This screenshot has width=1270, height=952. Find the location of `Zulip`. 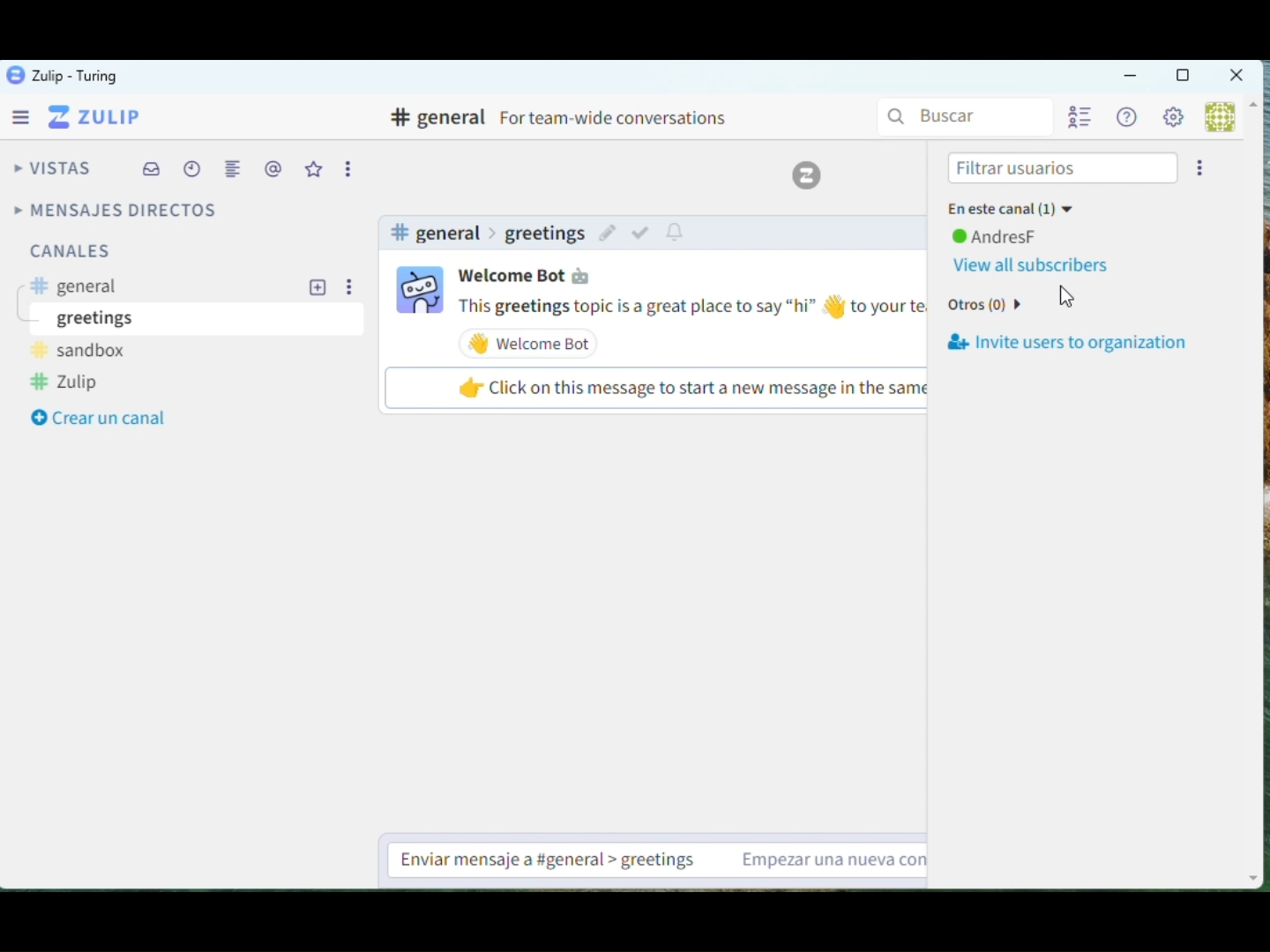

Zulip is located at coordinates (63, 77).